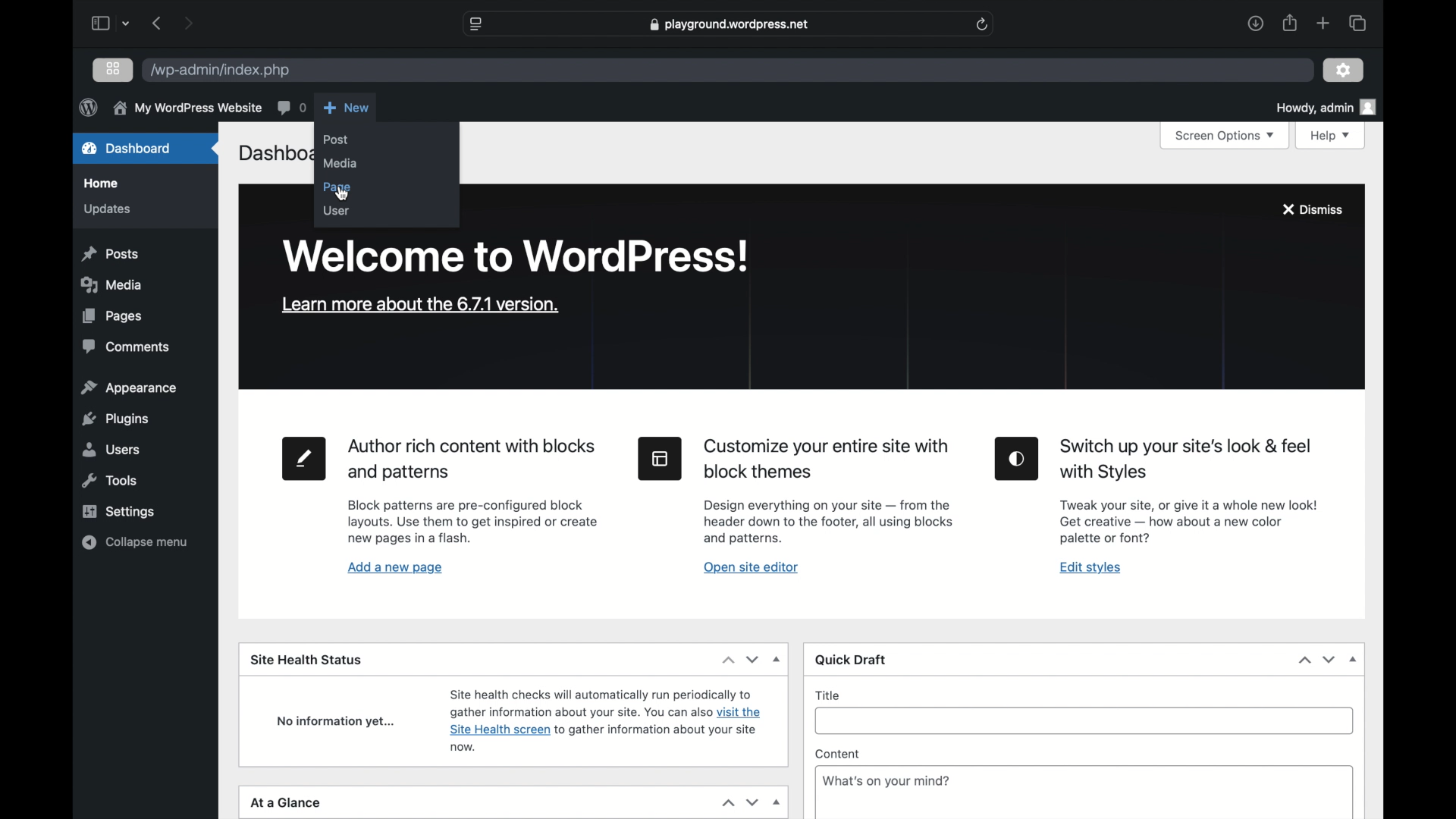 This screenshot has height=819, width=1456. Describe the element at coordinates (336, 211) in the screenshot. I see `user` at that location.